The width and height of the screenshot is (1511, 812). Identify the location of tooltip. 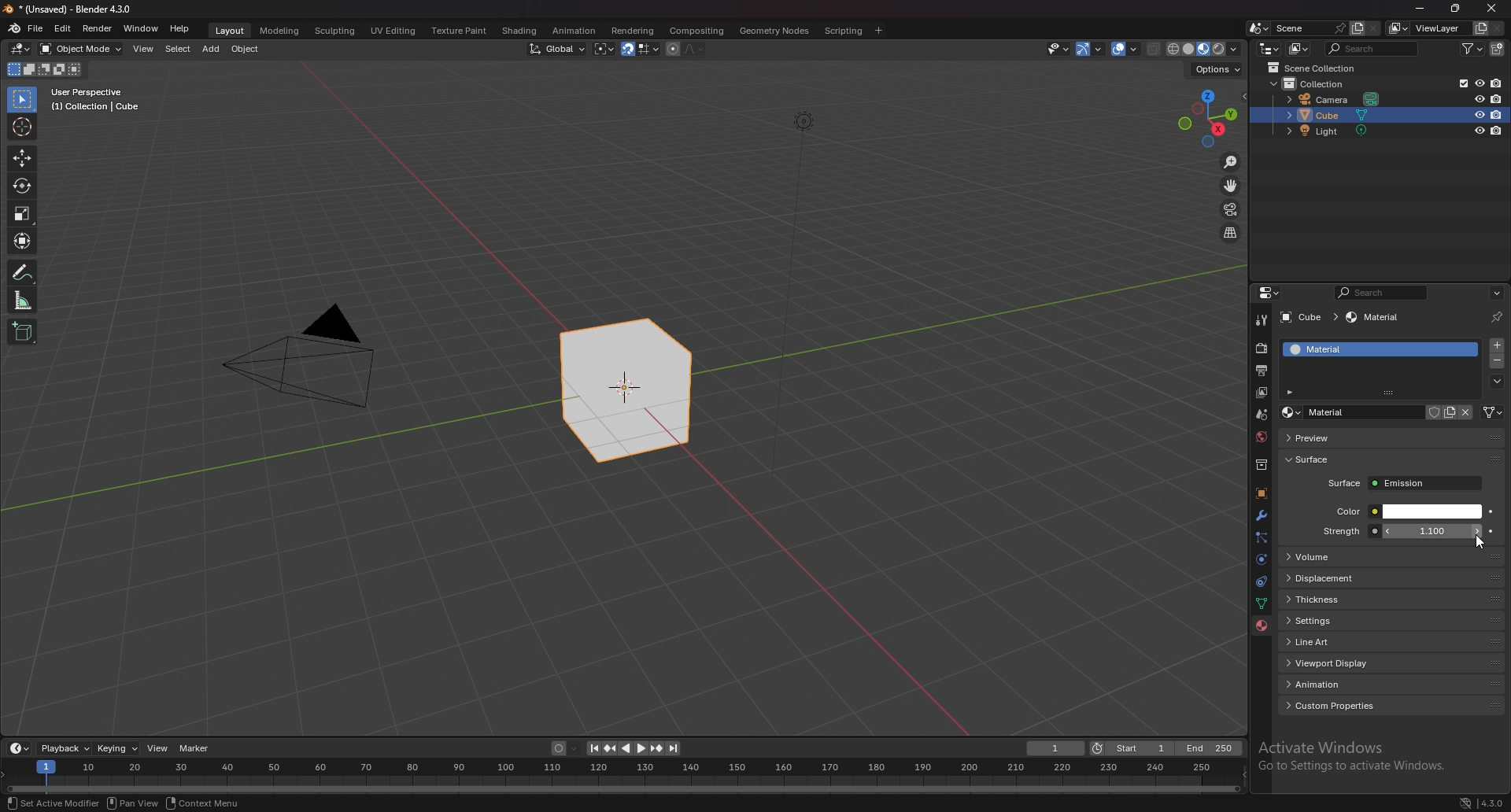
(1469, 559).